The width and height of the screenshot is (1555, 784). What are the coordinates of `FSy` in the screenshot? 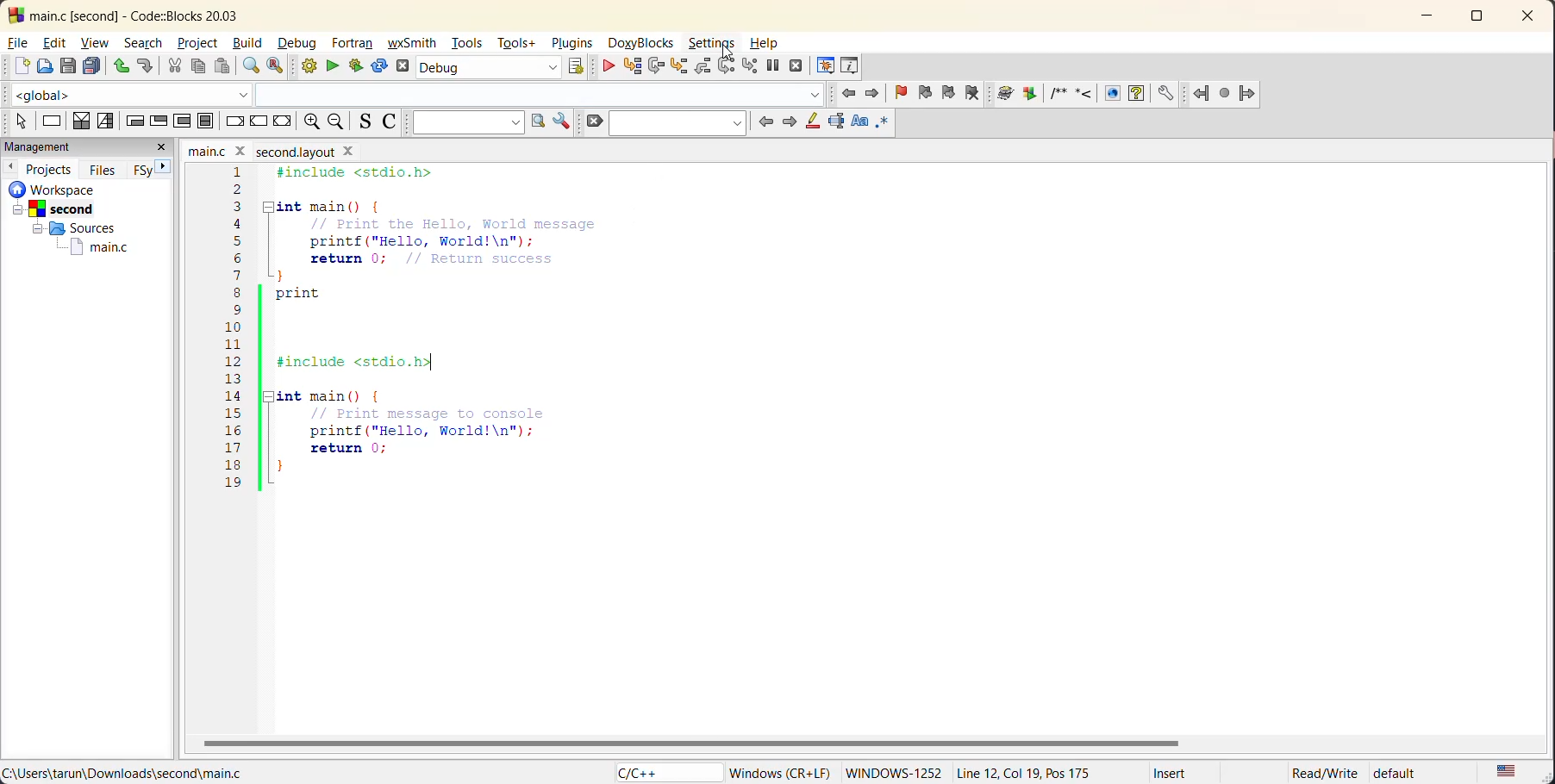 It's located at (142, 169).